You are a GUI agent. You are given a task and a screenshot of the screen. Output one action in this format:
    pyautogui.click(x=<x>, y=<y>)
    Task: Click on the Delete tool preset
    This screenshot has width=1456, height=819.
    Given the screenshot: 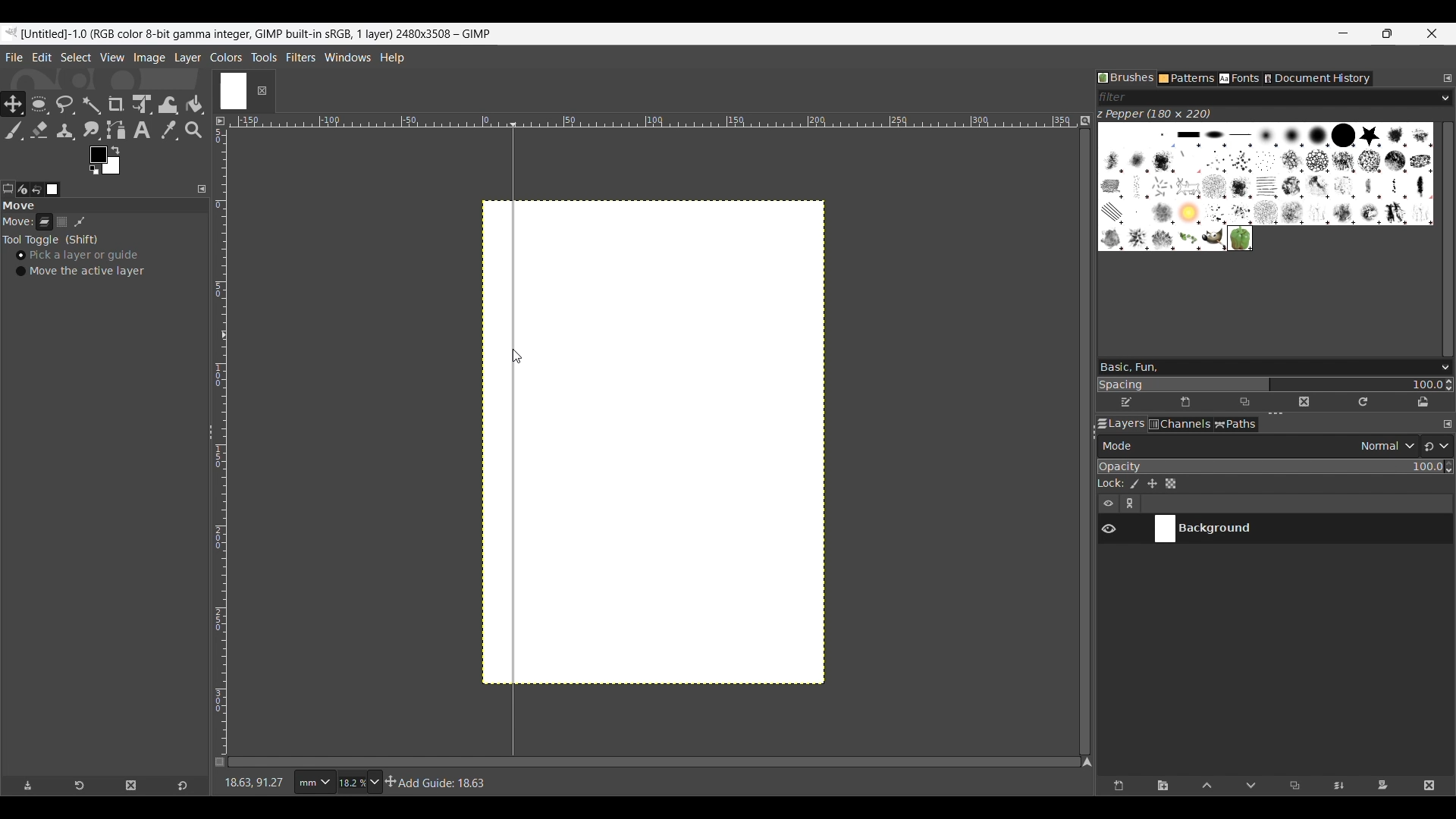 What is the action you would take?
    pyautogui.click(x=131, y=786)
    